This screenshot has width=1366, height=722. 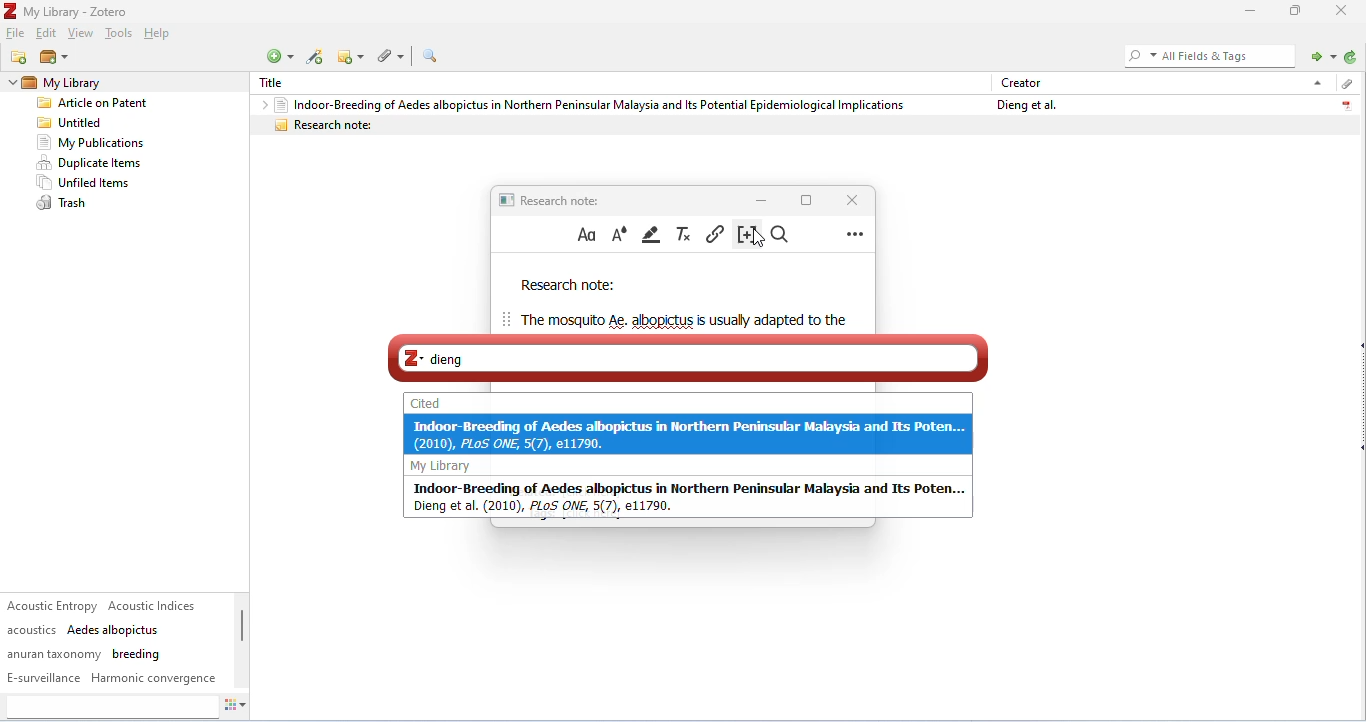 I want to click on research note, so click(x=568, y=286).